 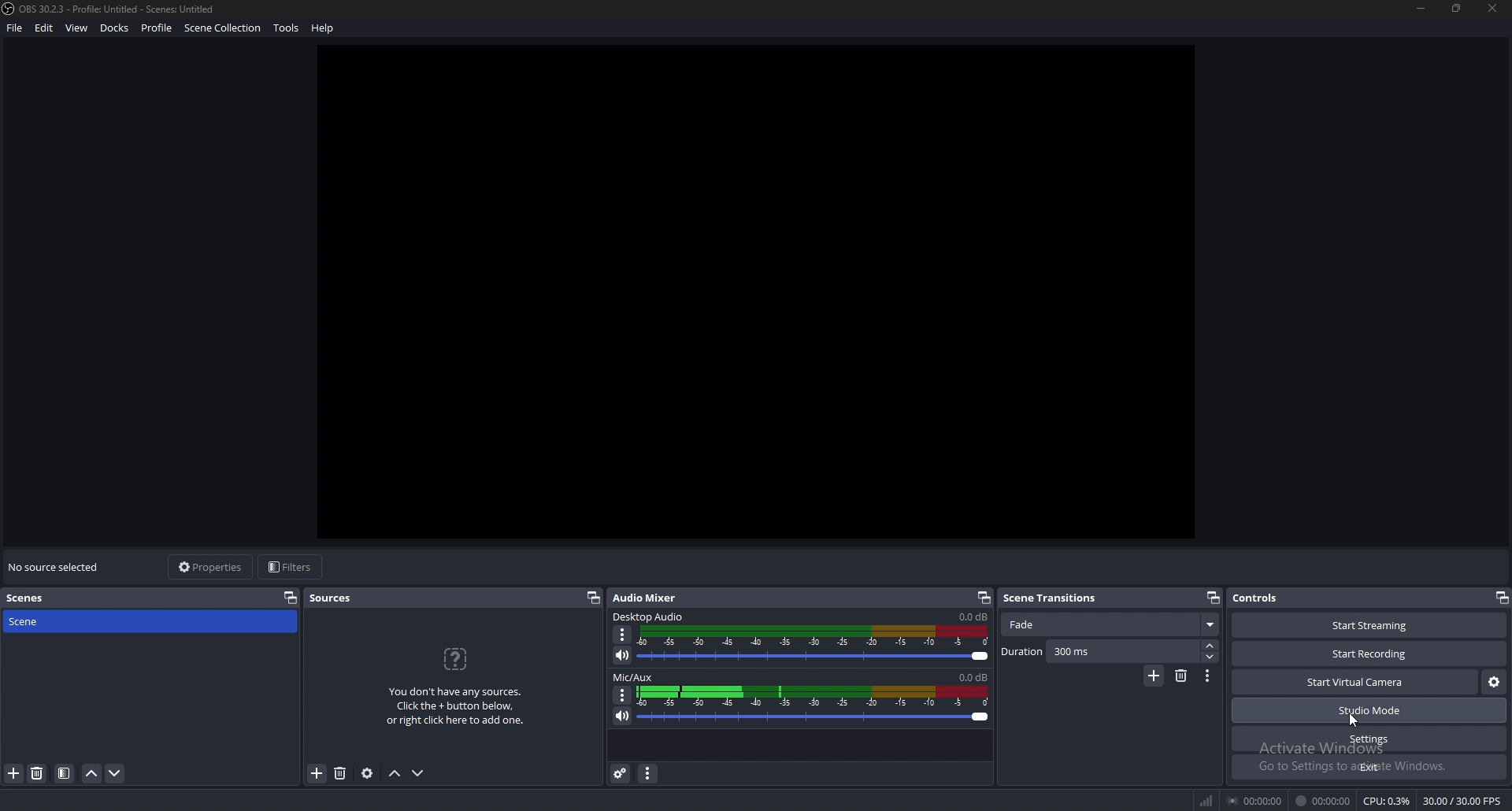 I want to click on Desktop audio, so click(x=650, y=616).